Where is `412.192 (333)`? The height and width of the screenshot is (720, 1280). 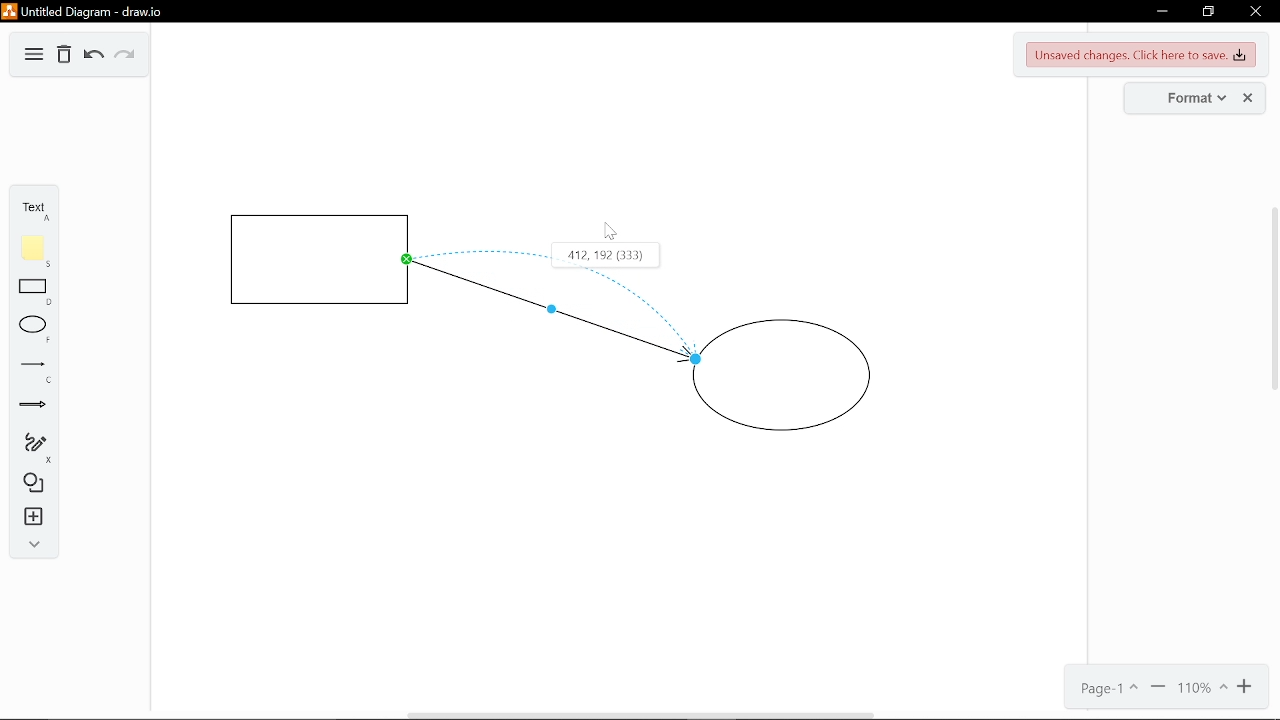
412.192 (333) is located at coordinates (608, 255).